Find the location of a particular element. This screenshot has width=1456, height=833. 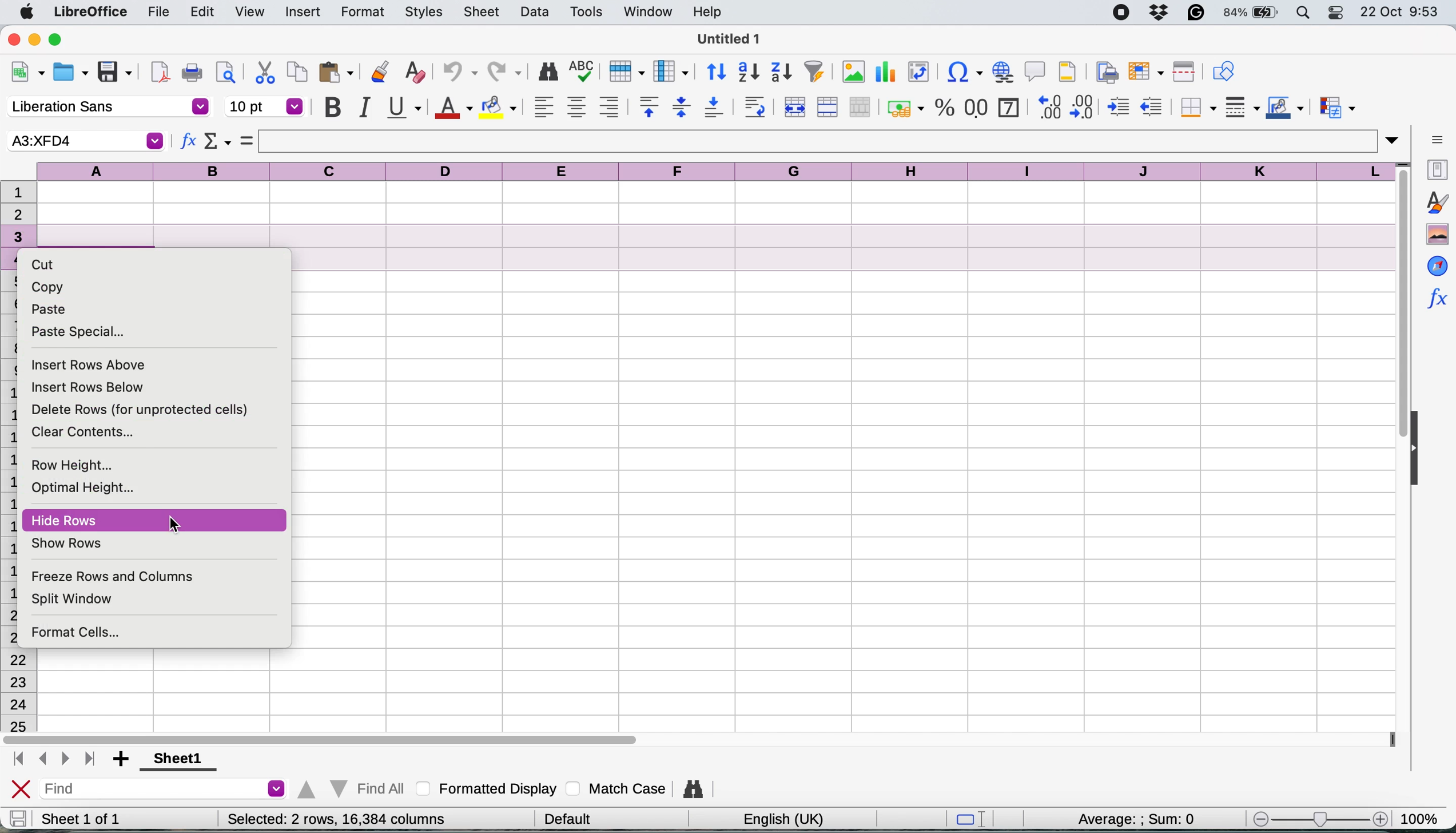

bold is located at coordinates (332, 108).